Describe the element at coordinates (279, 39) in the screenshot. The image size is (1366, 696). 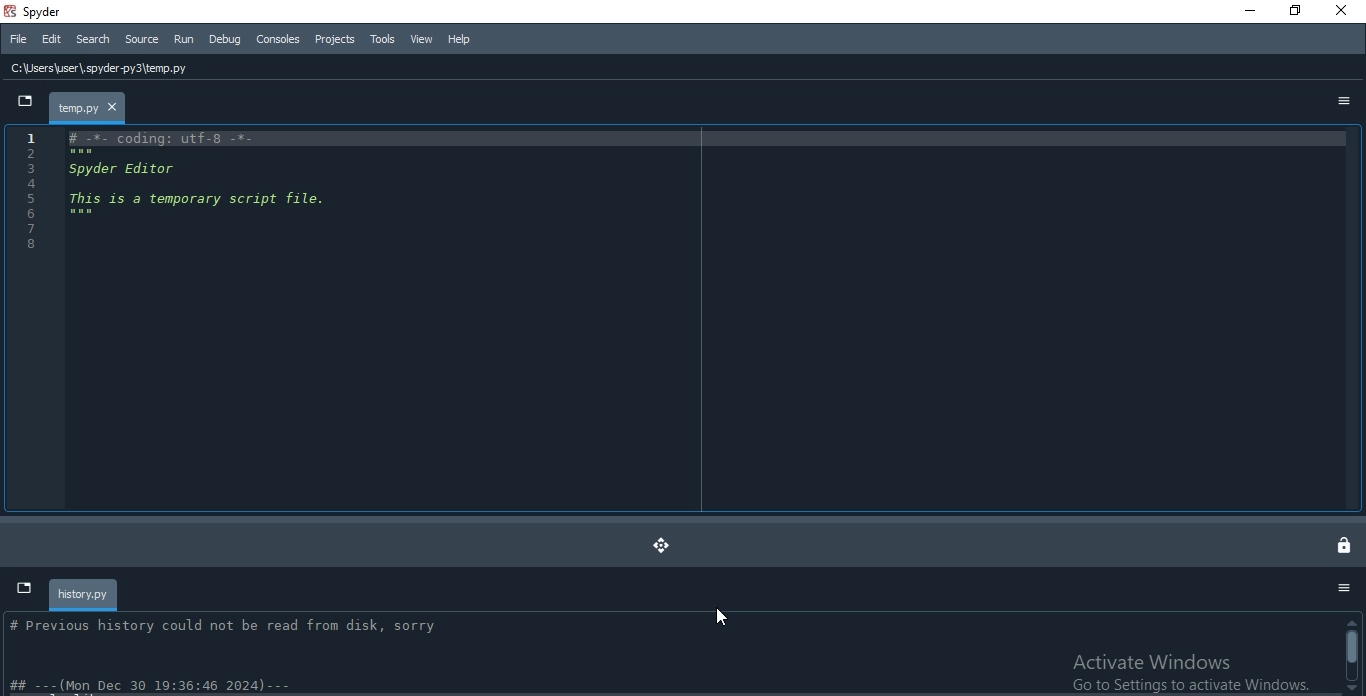
I see `Consoles` at that location.